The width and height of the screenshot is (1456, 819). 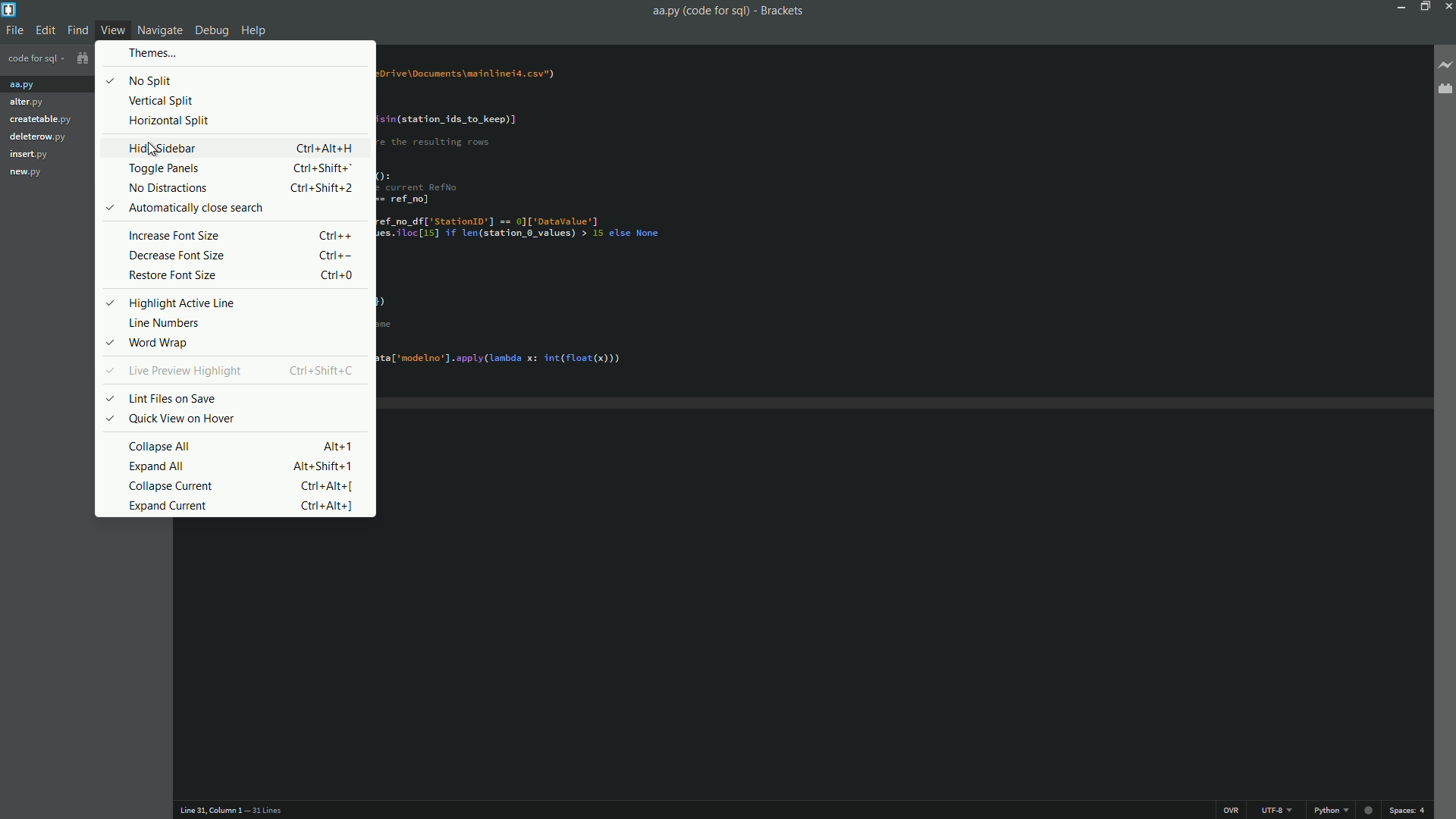 What do you see at coordinates (75, 58) in the screenshot?
I see `show in file tree button` at bounding box center [75, 58].